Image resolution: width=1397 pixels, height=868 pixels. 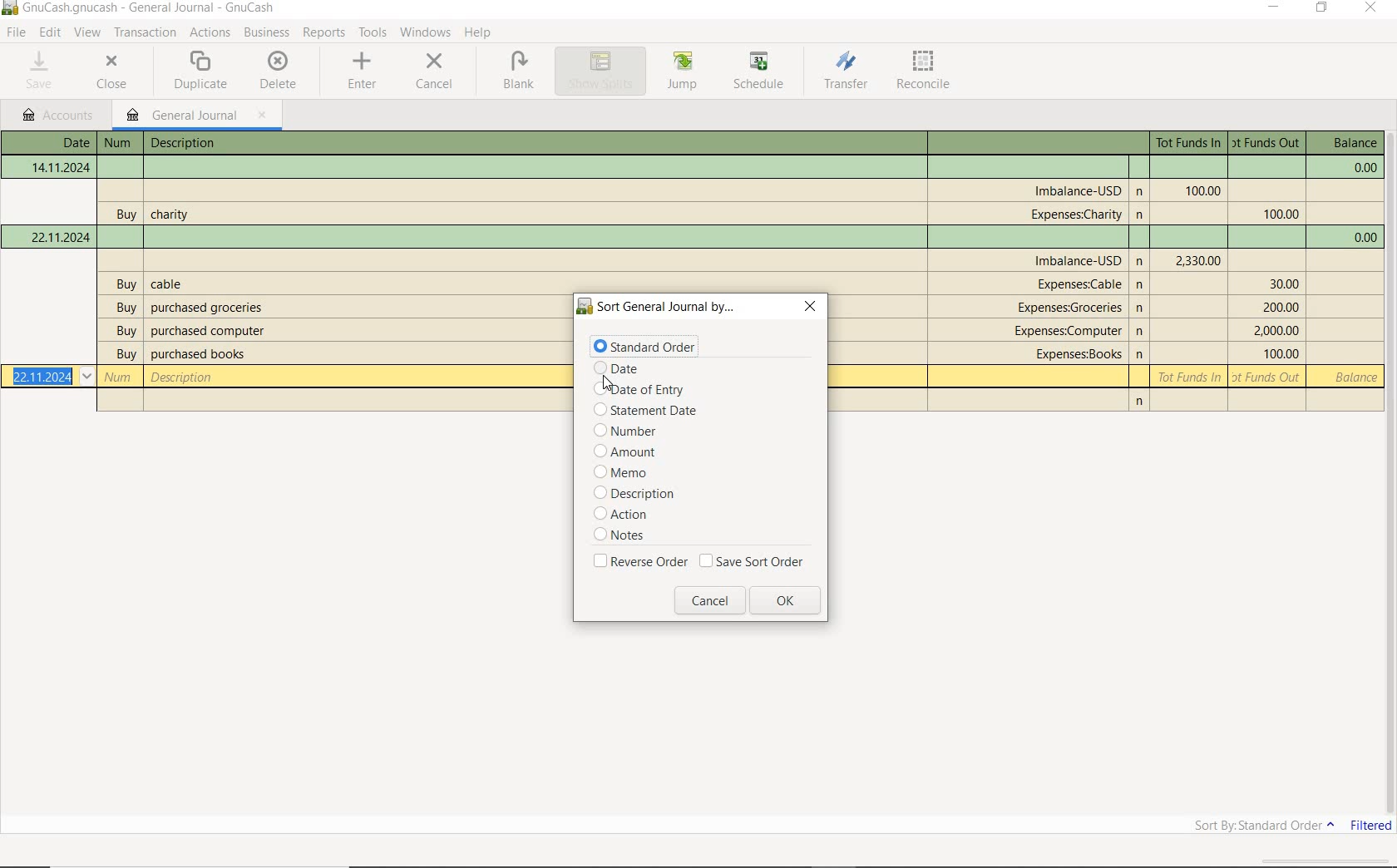 What do you see at coordinates (646, 345) in the screenshot?
I see `standard order` at bounding box center [646, 345].